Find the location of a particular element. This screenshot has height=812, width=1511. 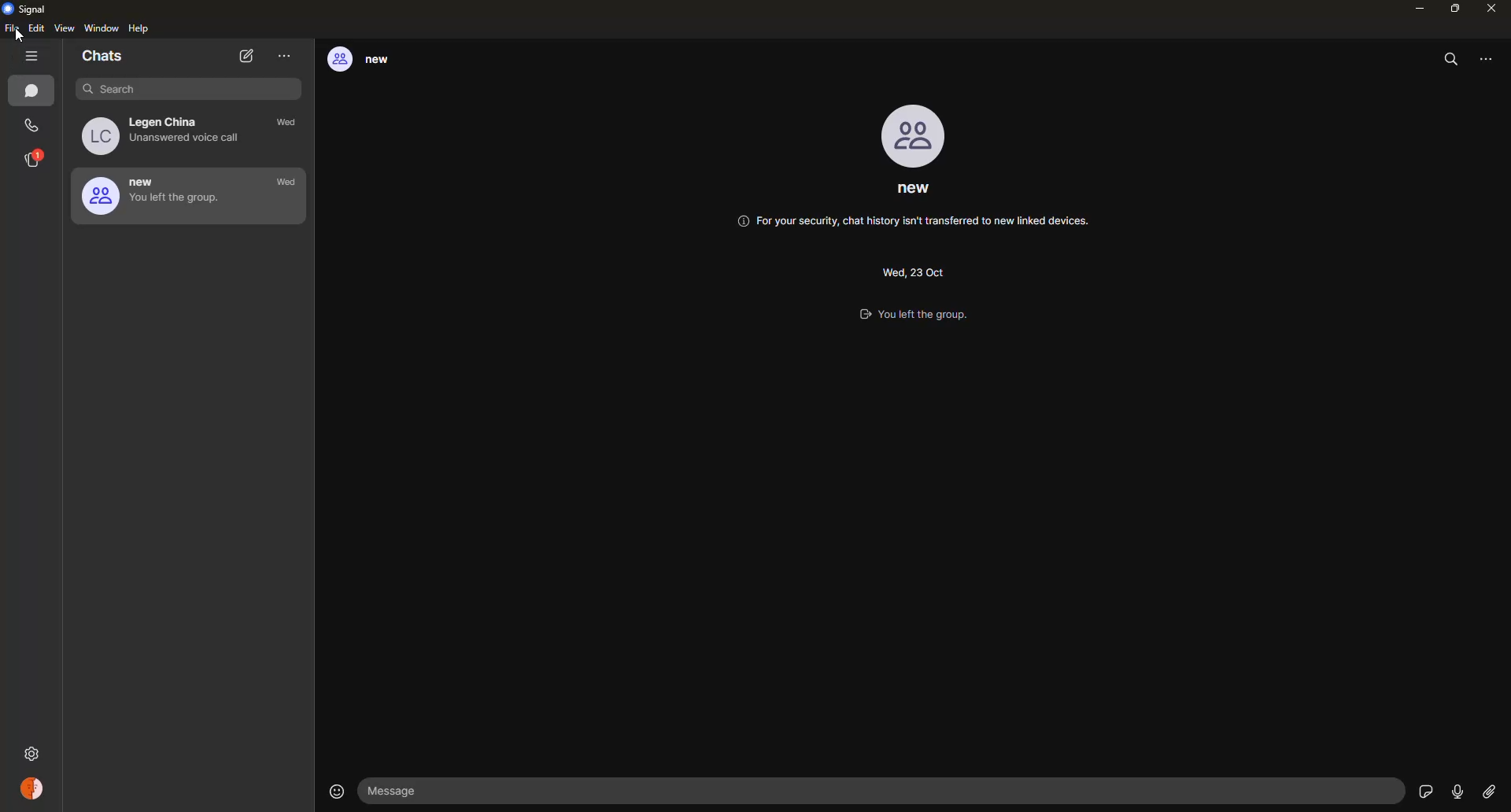

profile is located at coordinates (34, 791).